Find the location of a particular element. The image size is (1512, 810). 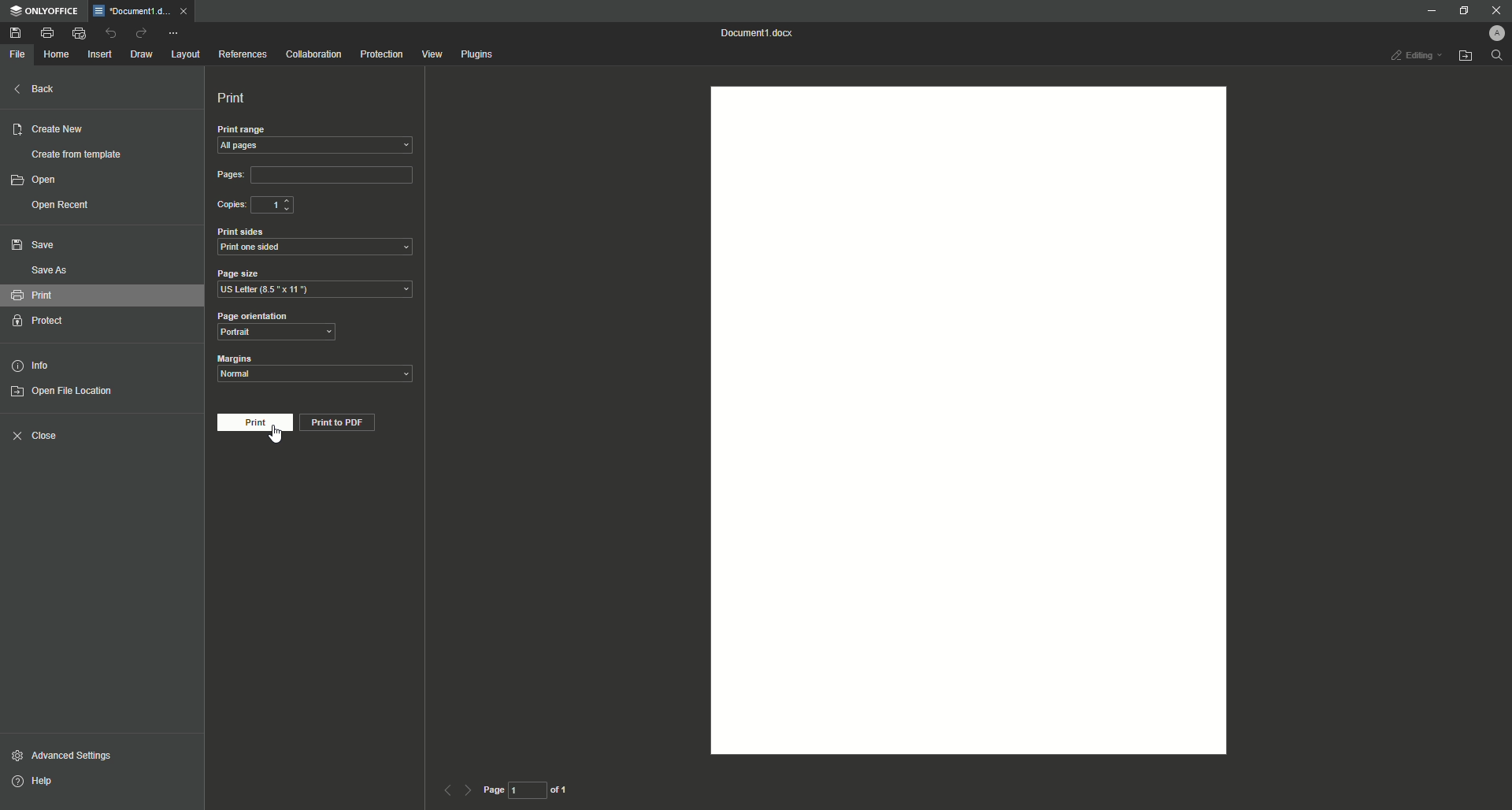

Redo is located at coordinates (144, 34).